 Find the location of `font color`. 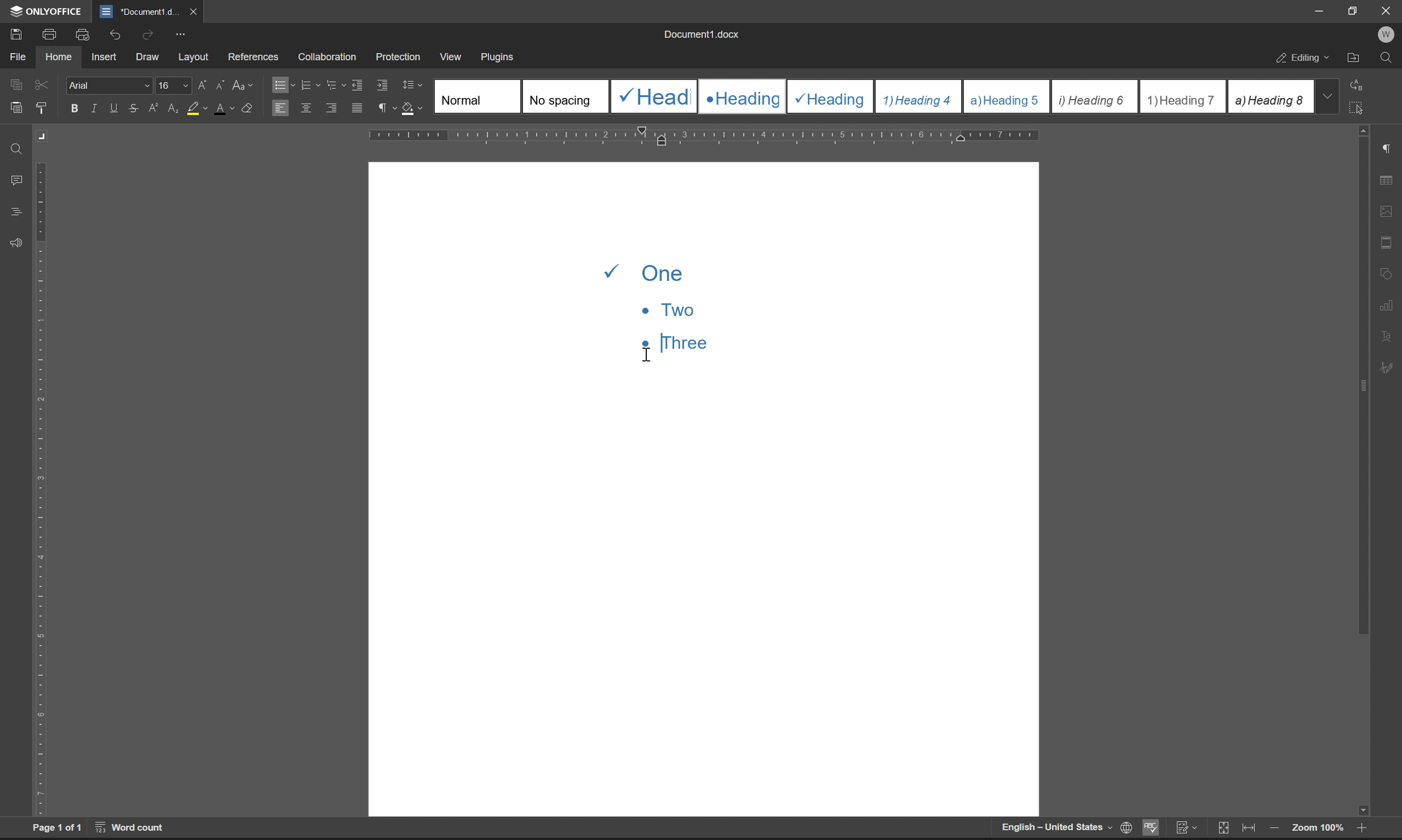

font color is located at coordinates (225, 108).